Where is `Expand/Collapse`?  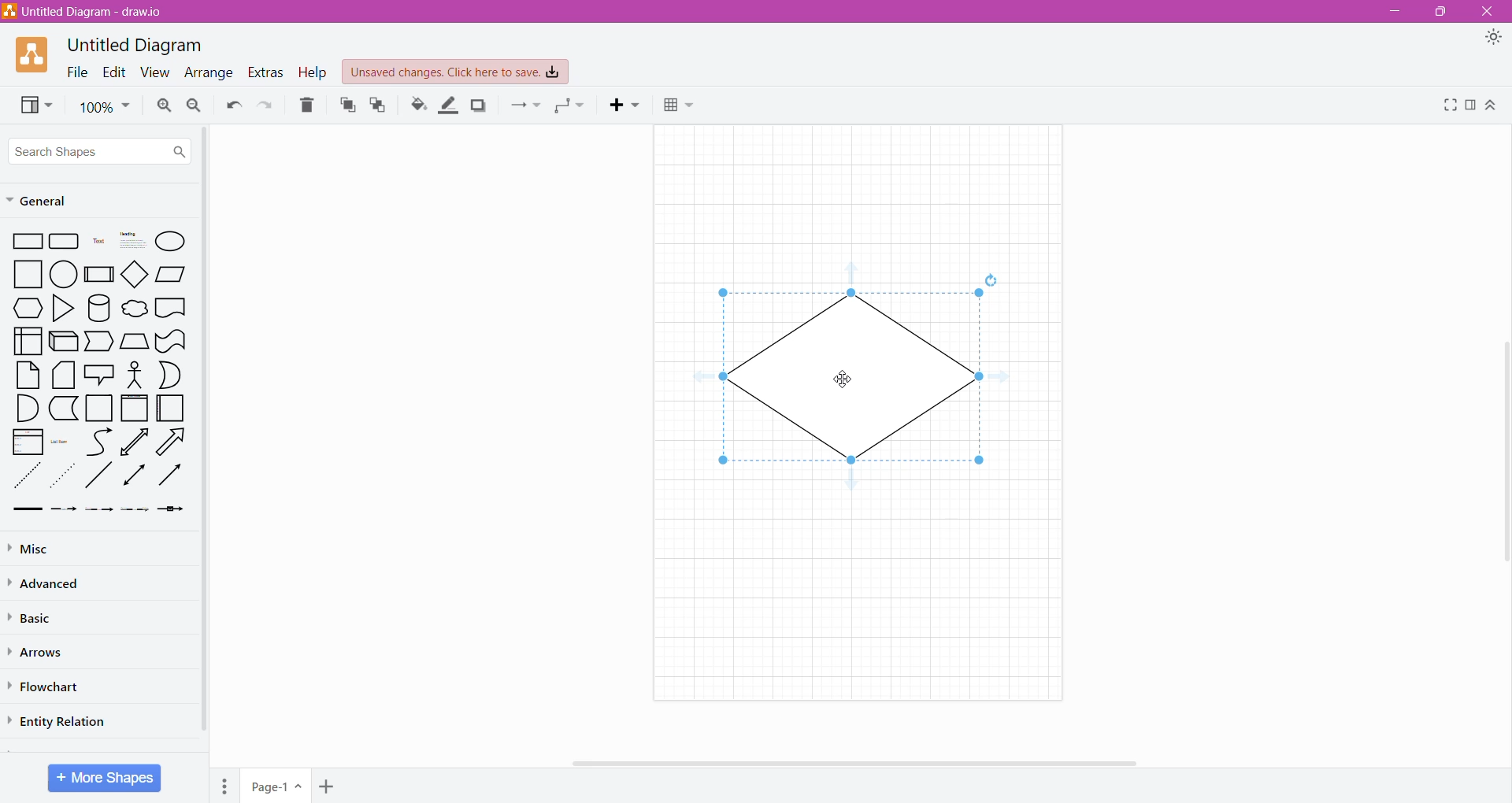 Expand/Collapse is located at coordinates (1492, 105).